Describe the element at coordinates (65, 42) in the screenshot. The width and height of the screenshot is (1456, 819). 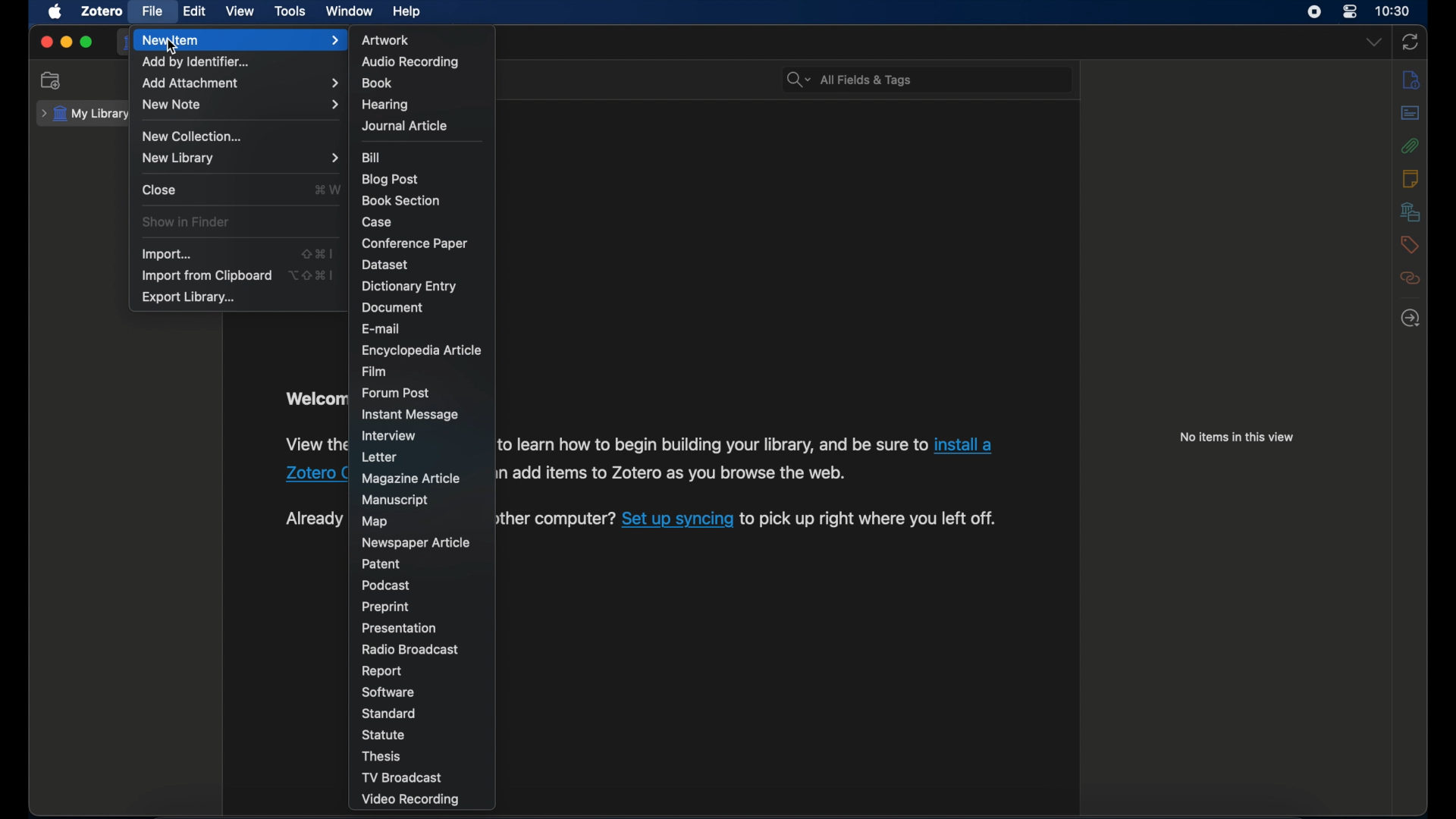
I see `minimize` at that location.